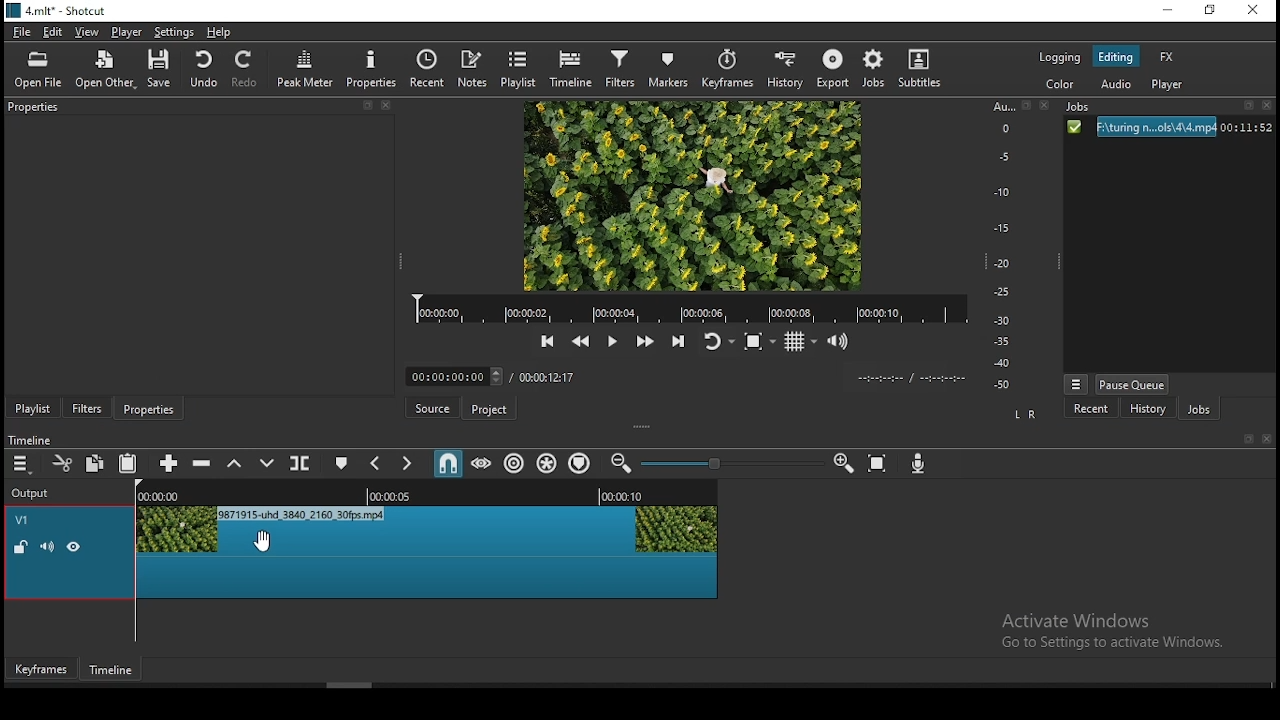 This screenshot has height=720, width=1280. Describe the element at coordinates (489, 409) in the screenshot. I see `project` at that location.